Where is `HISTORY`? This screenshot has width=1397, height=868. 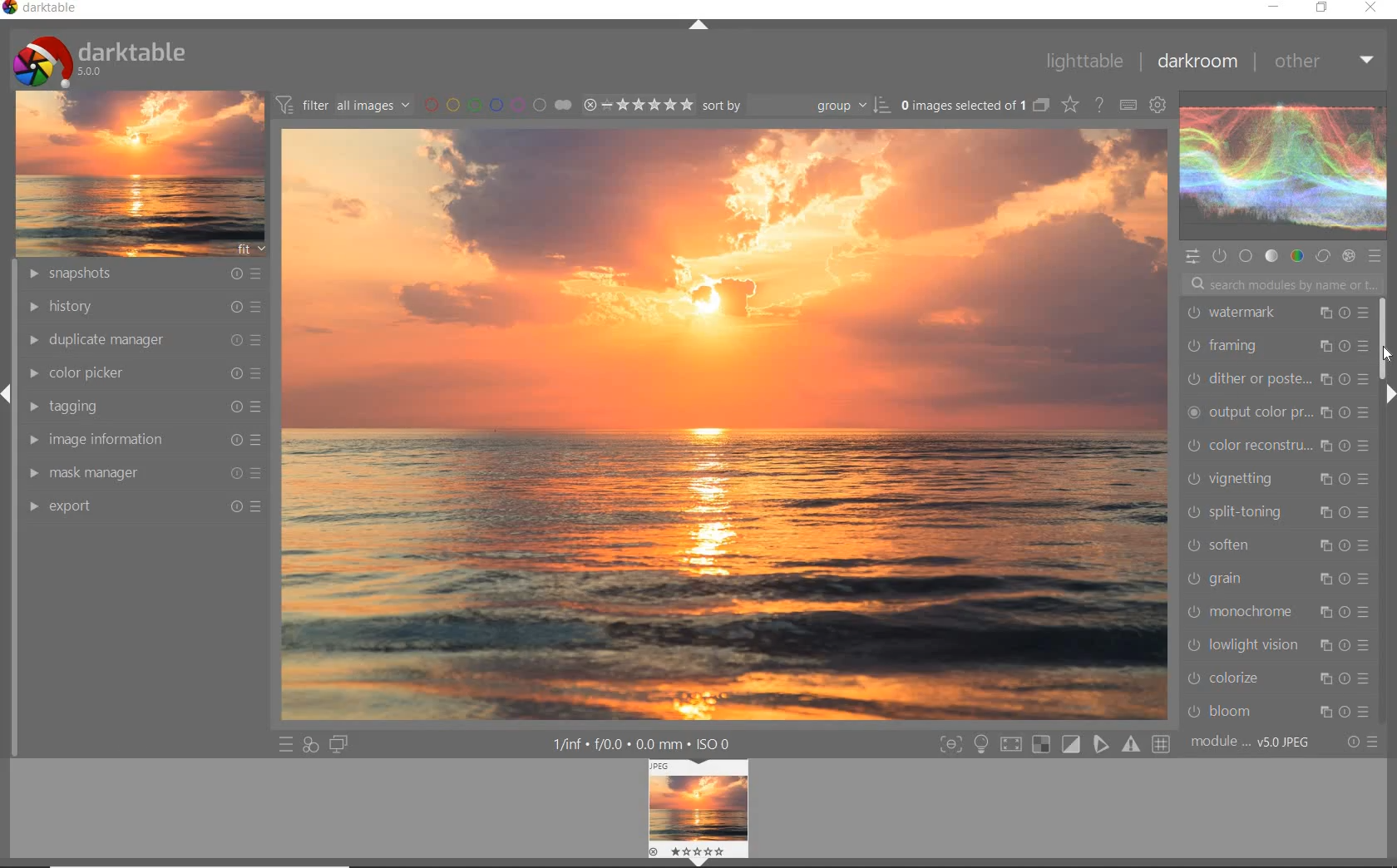
HISTORY is located at coordinates (143, 307).